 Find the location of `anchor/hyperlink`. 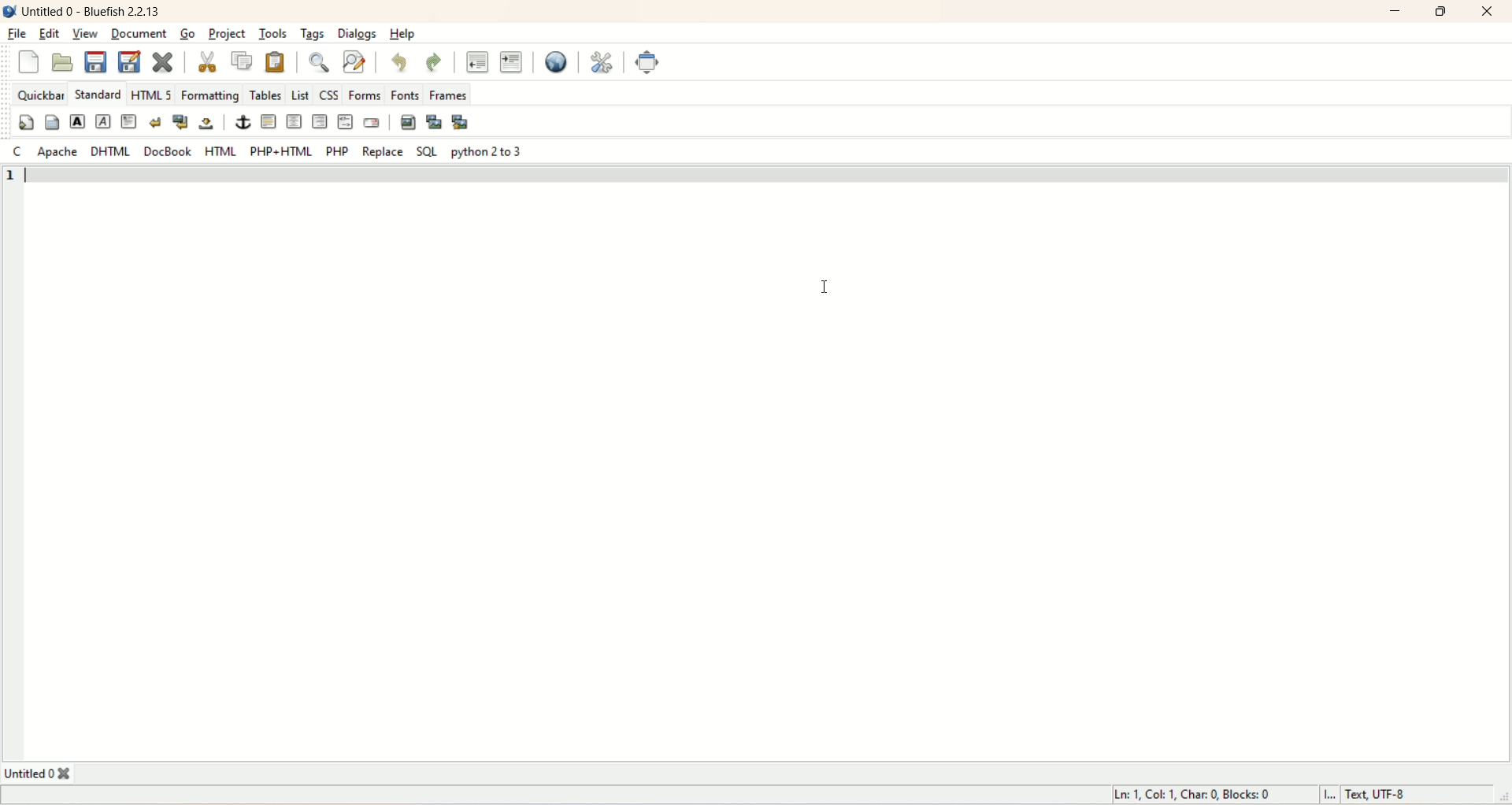

anchor/hyperlink is located at coordinates (243, 122).